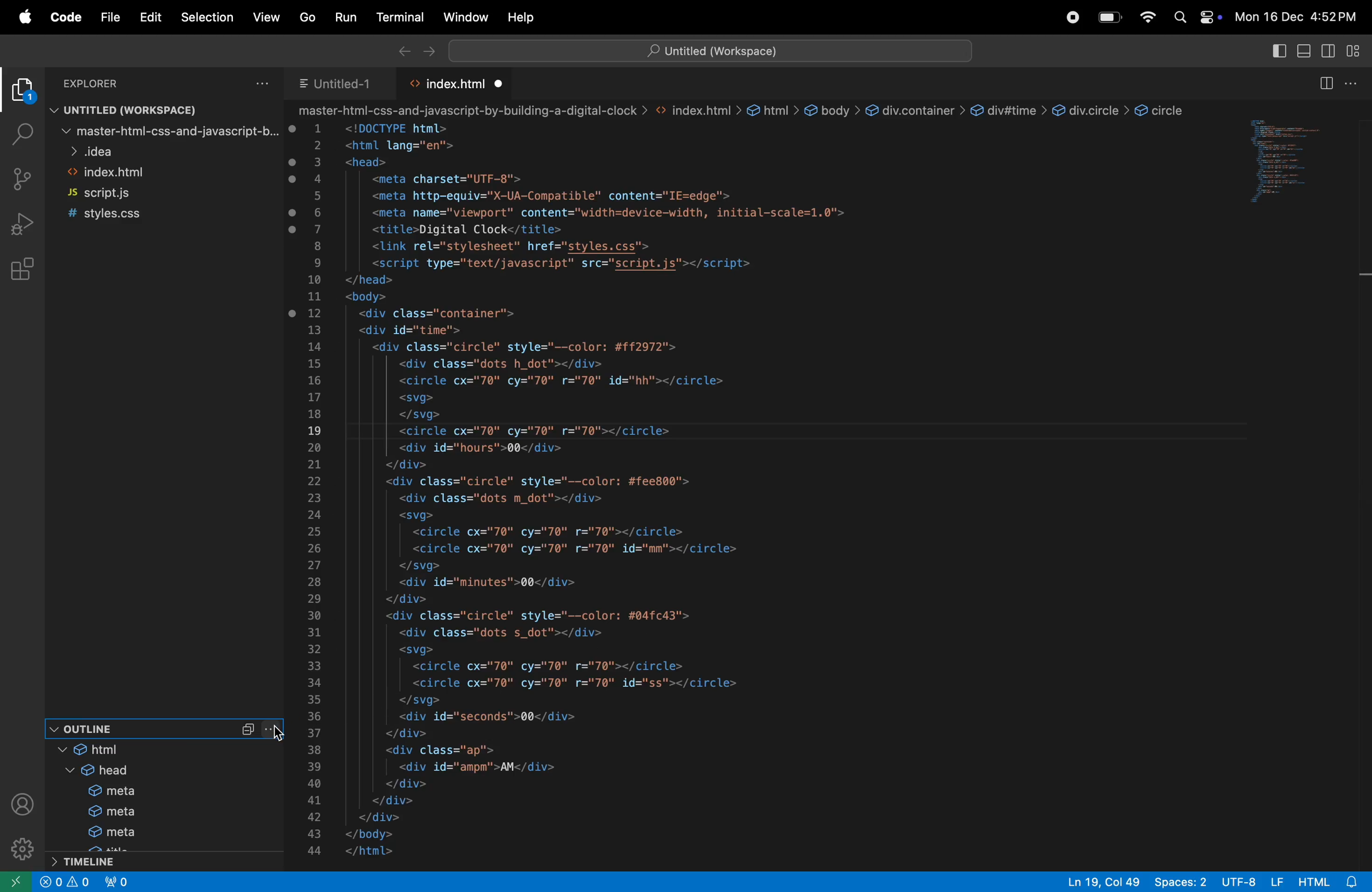  I want to click on open remote window, so click(19, 880).